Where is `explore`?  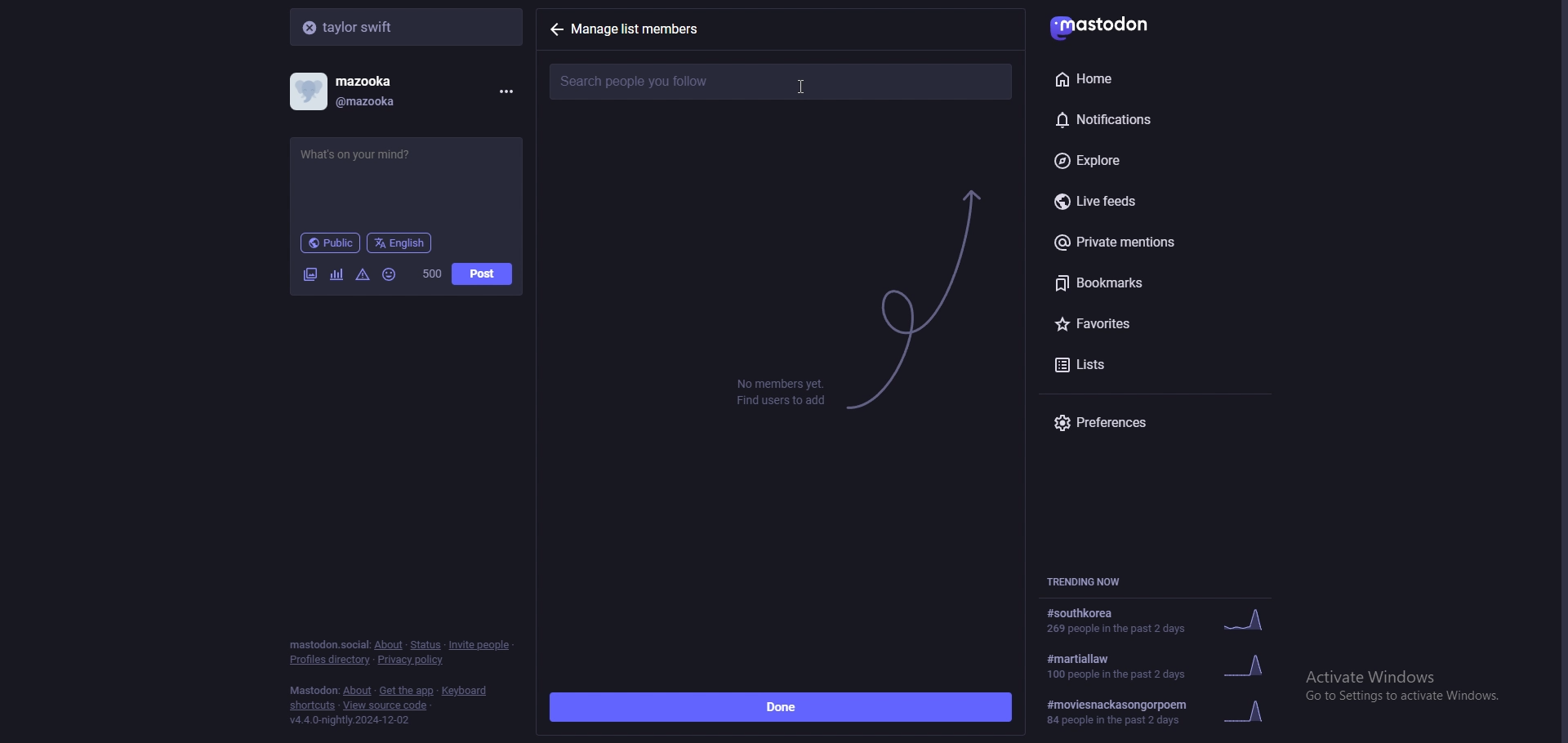
explore is located at coordinates (1150, 162).